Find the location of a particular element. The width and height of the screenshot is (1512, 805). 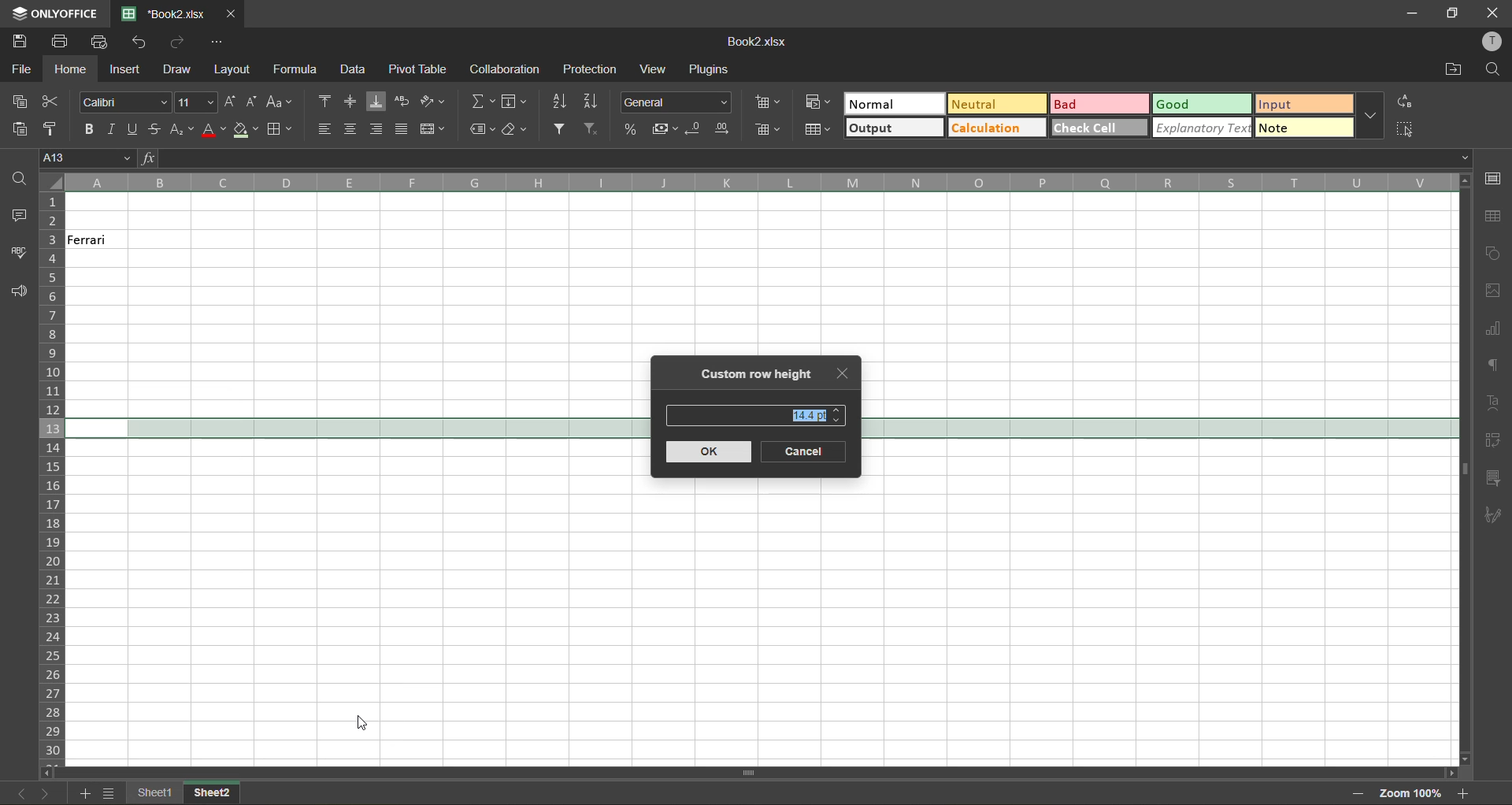

align left is located at coordinates (329, 129).